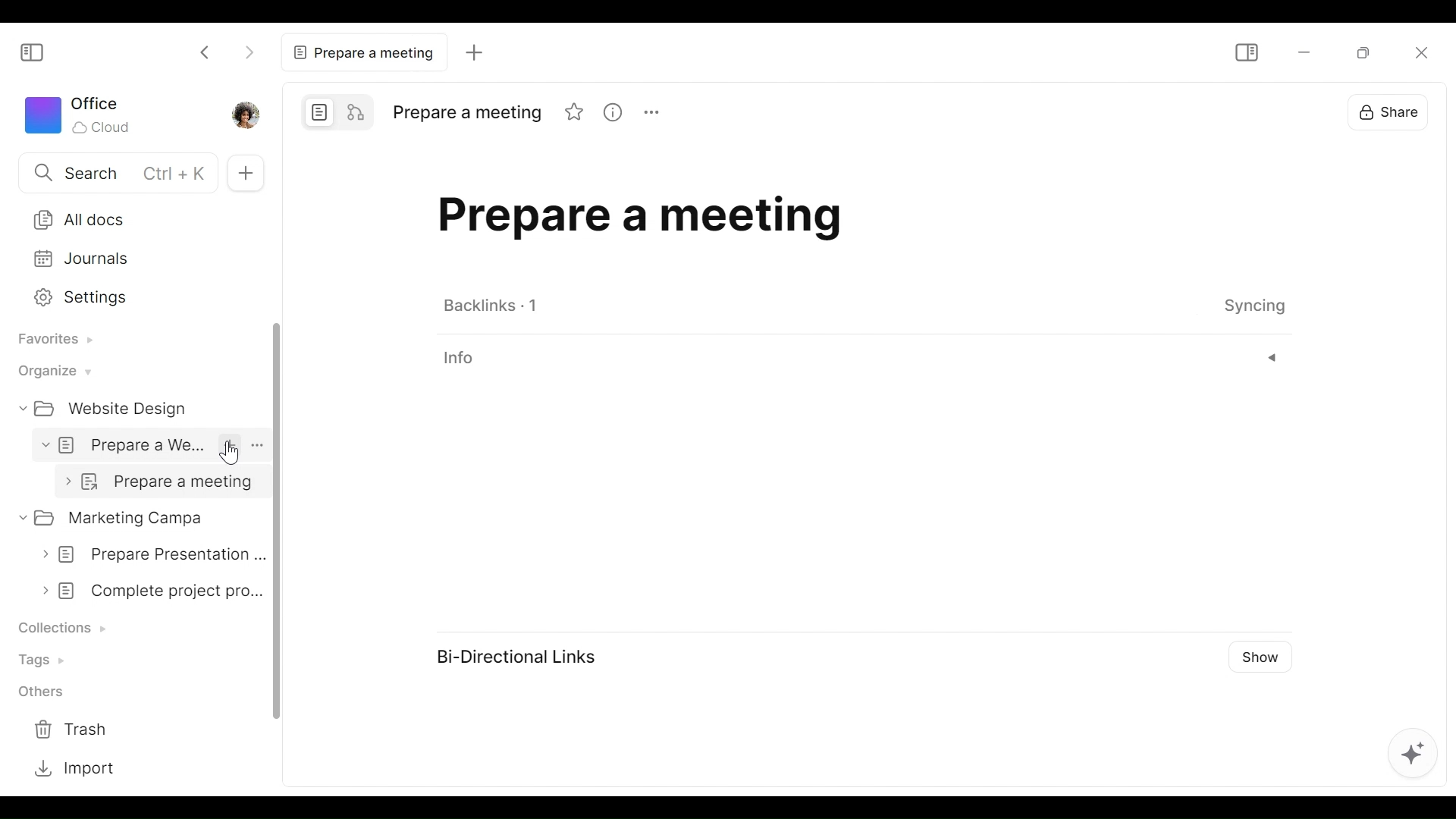 This screenshot has height=819, width=1456. Describe the element at coordinates (140, 517) in the screenshot. I see `Document` at that location.